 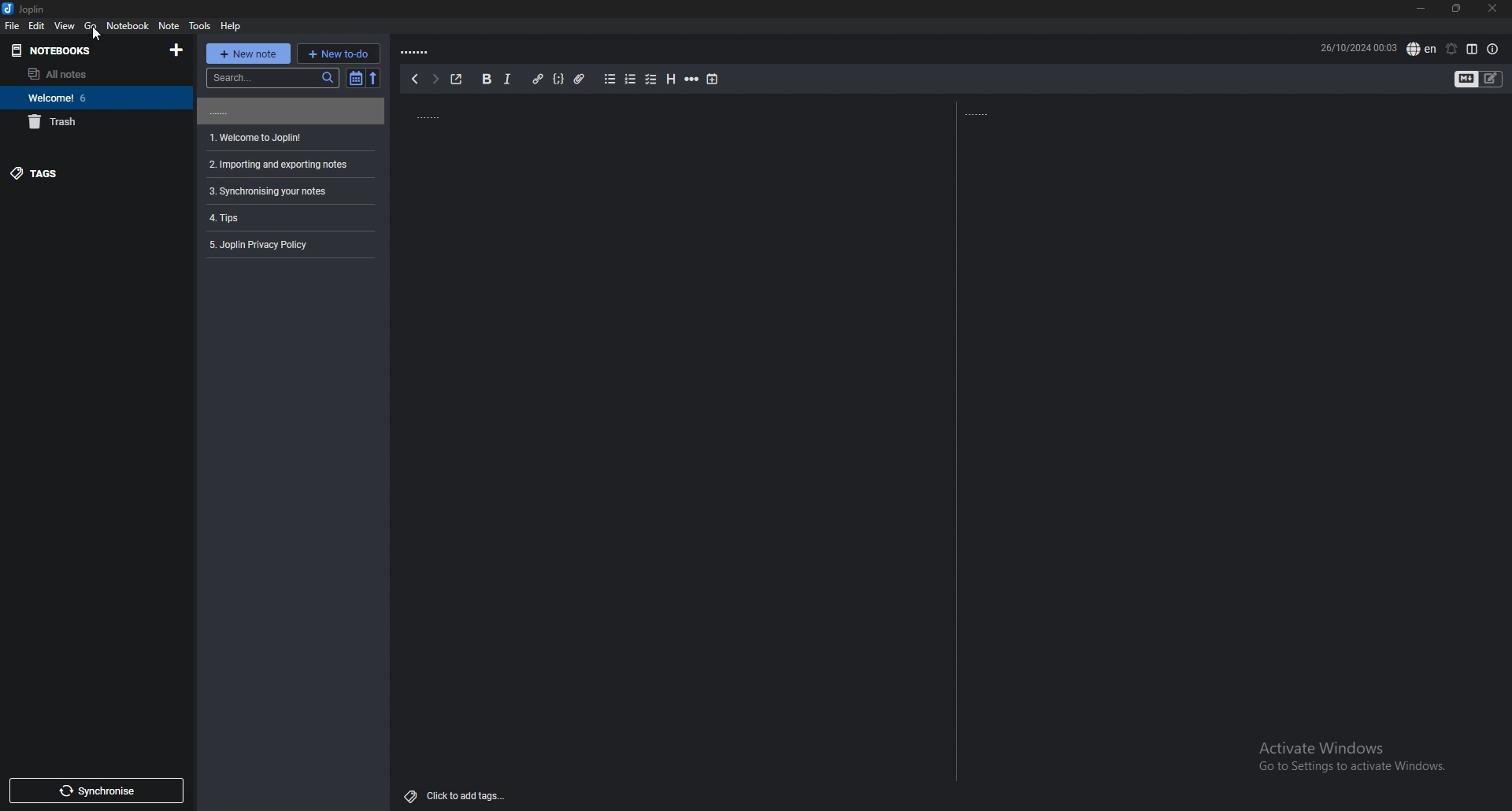 What do you see at coordinates (413, 80) in the screenshot?
I see `back` at bounding box center [413, 80].